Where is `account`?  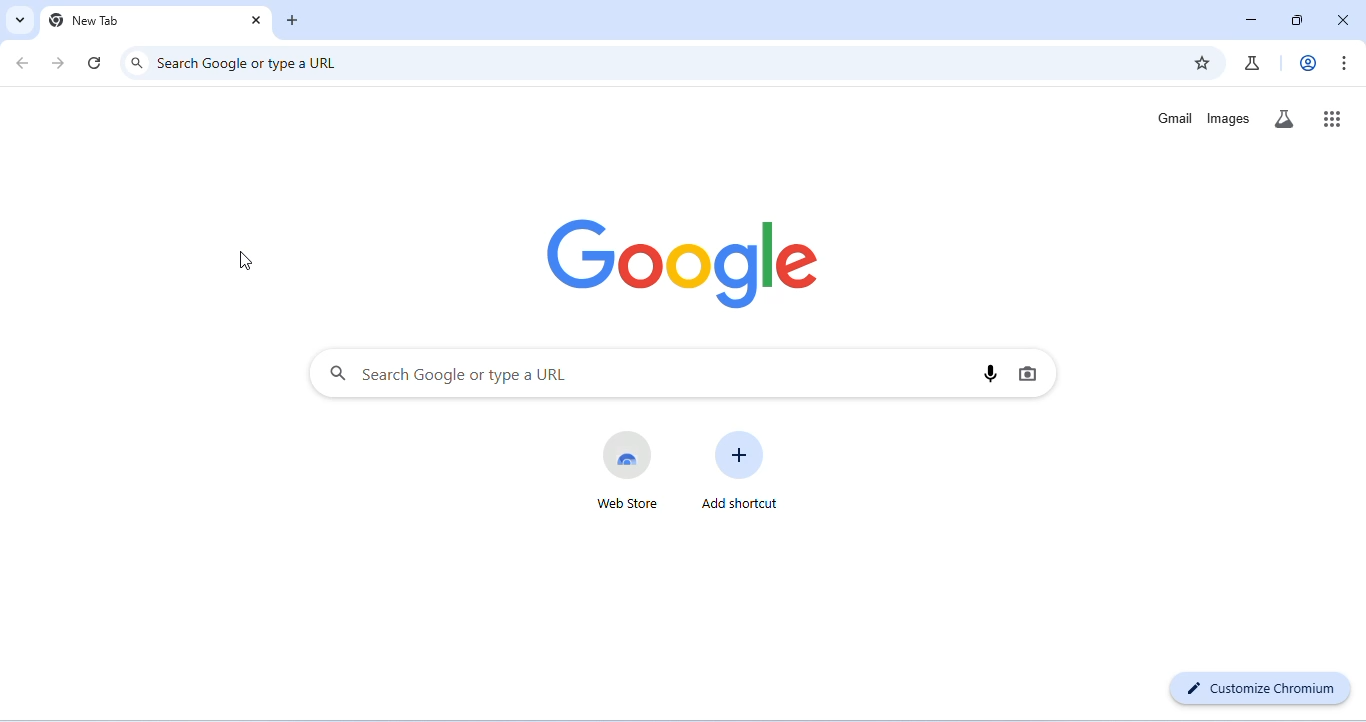
account is located at coordinates (1307, 63).